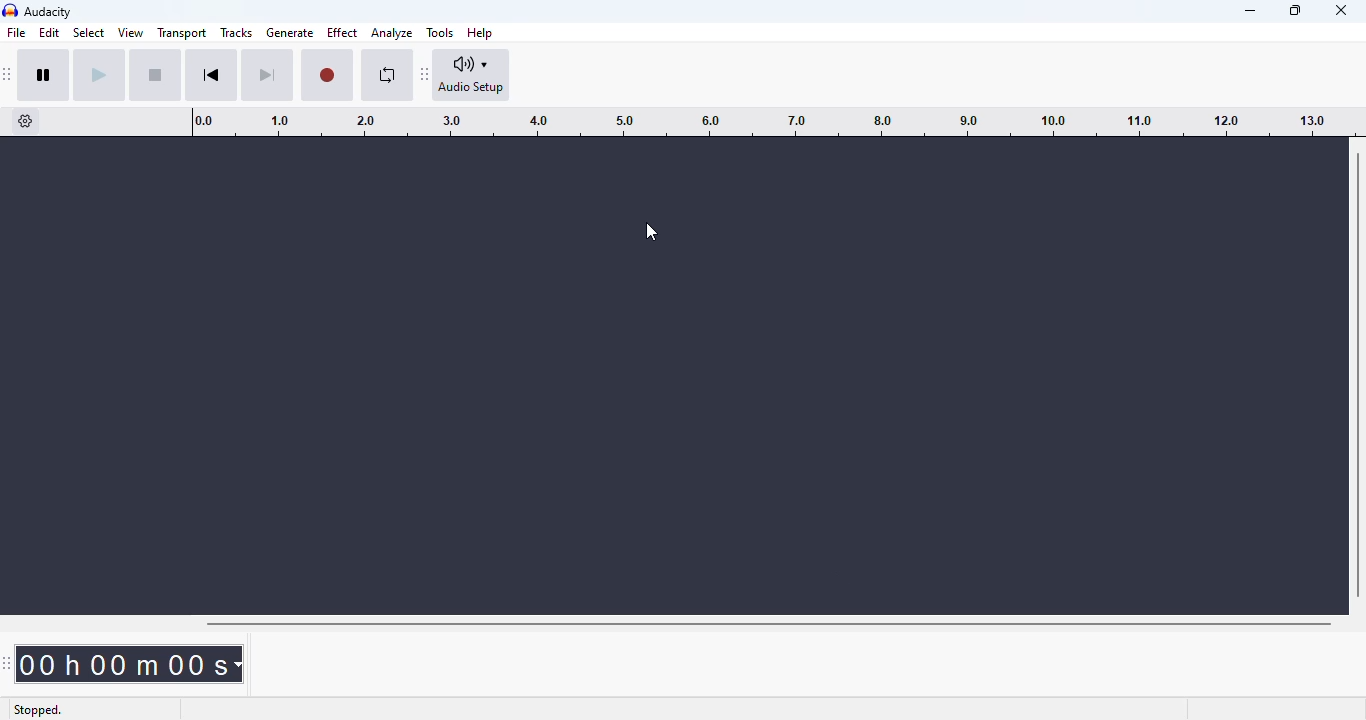 The width and height of the screenshot is (1366, 720). I want to click on close, so click(1342, 10).